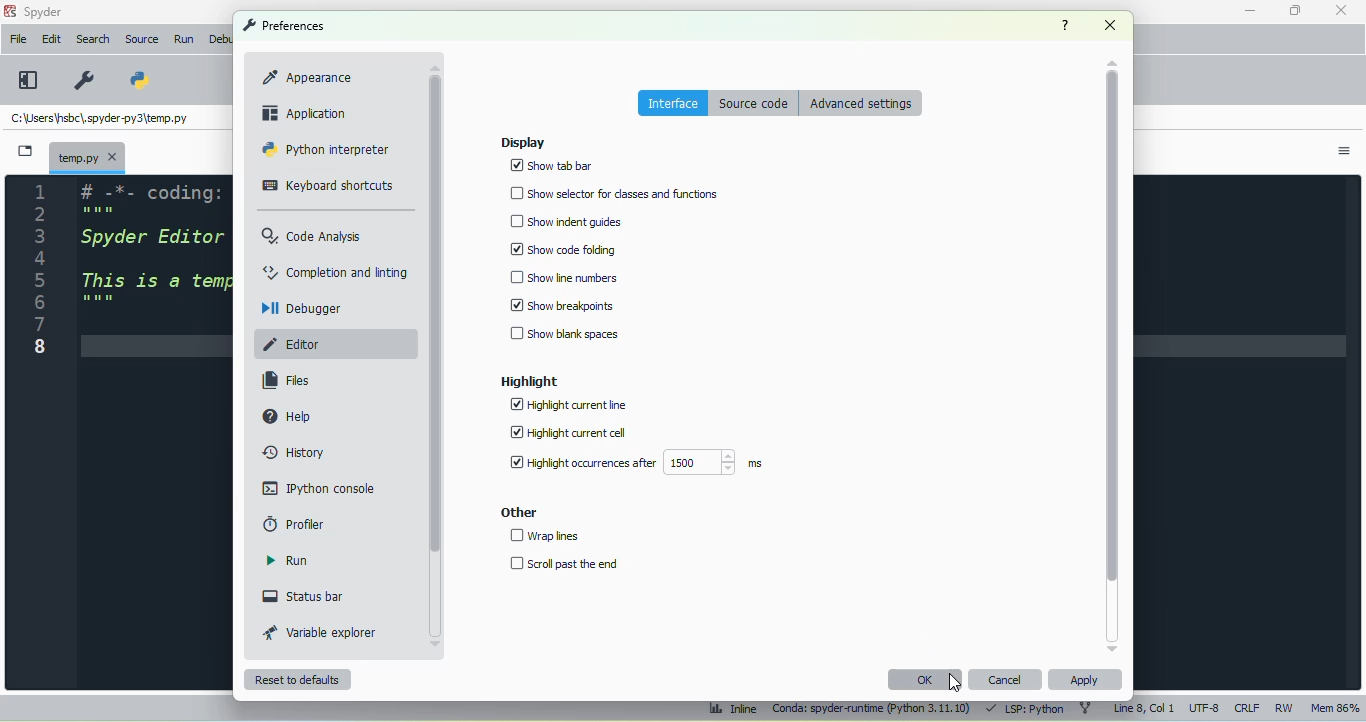 The image size is (1366, 722). What do you see at coordinates (93, 39) in the screenshot?
I see `search` at bounding box center [93, 39].